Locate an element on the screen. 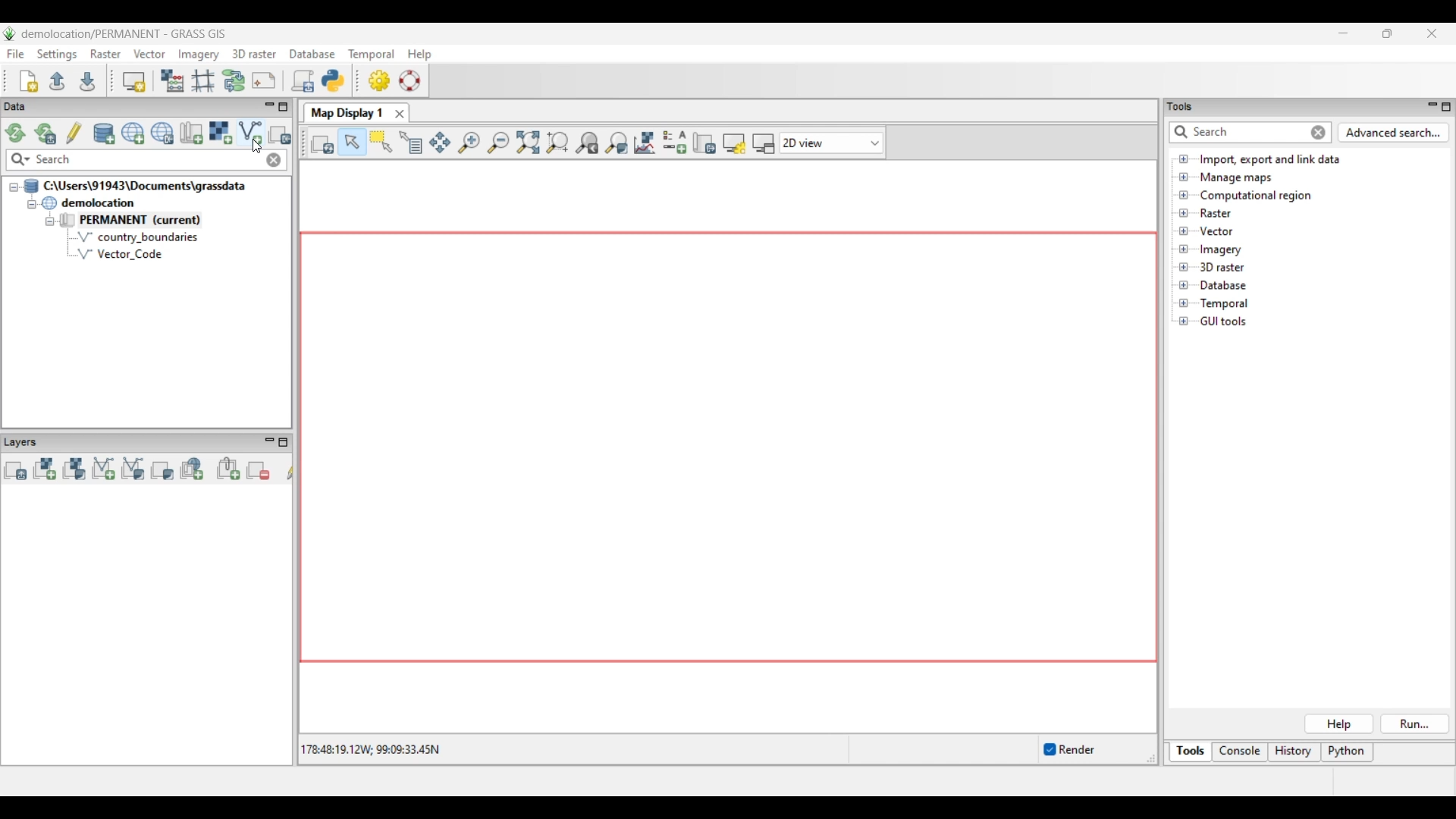  Minimize Layers panel is located at coordinates (269, 442).